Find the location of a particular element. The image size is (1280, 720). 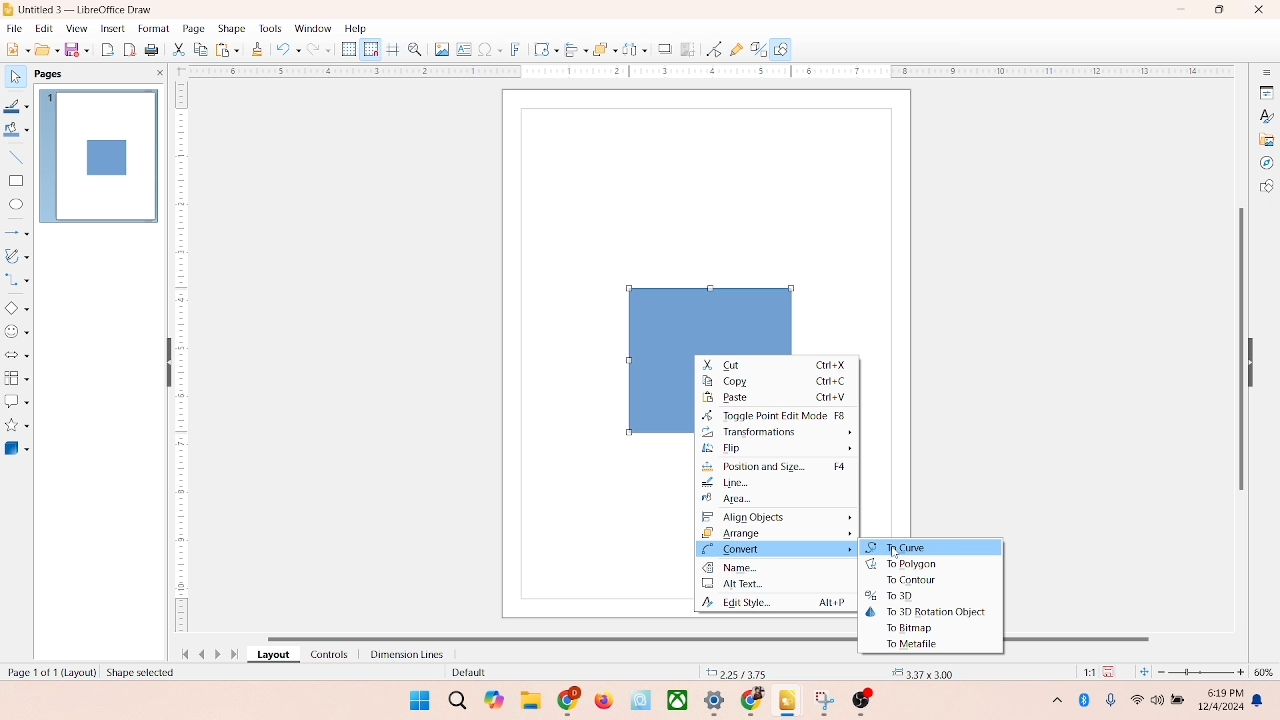

shape is located at coordinates (231, 28).